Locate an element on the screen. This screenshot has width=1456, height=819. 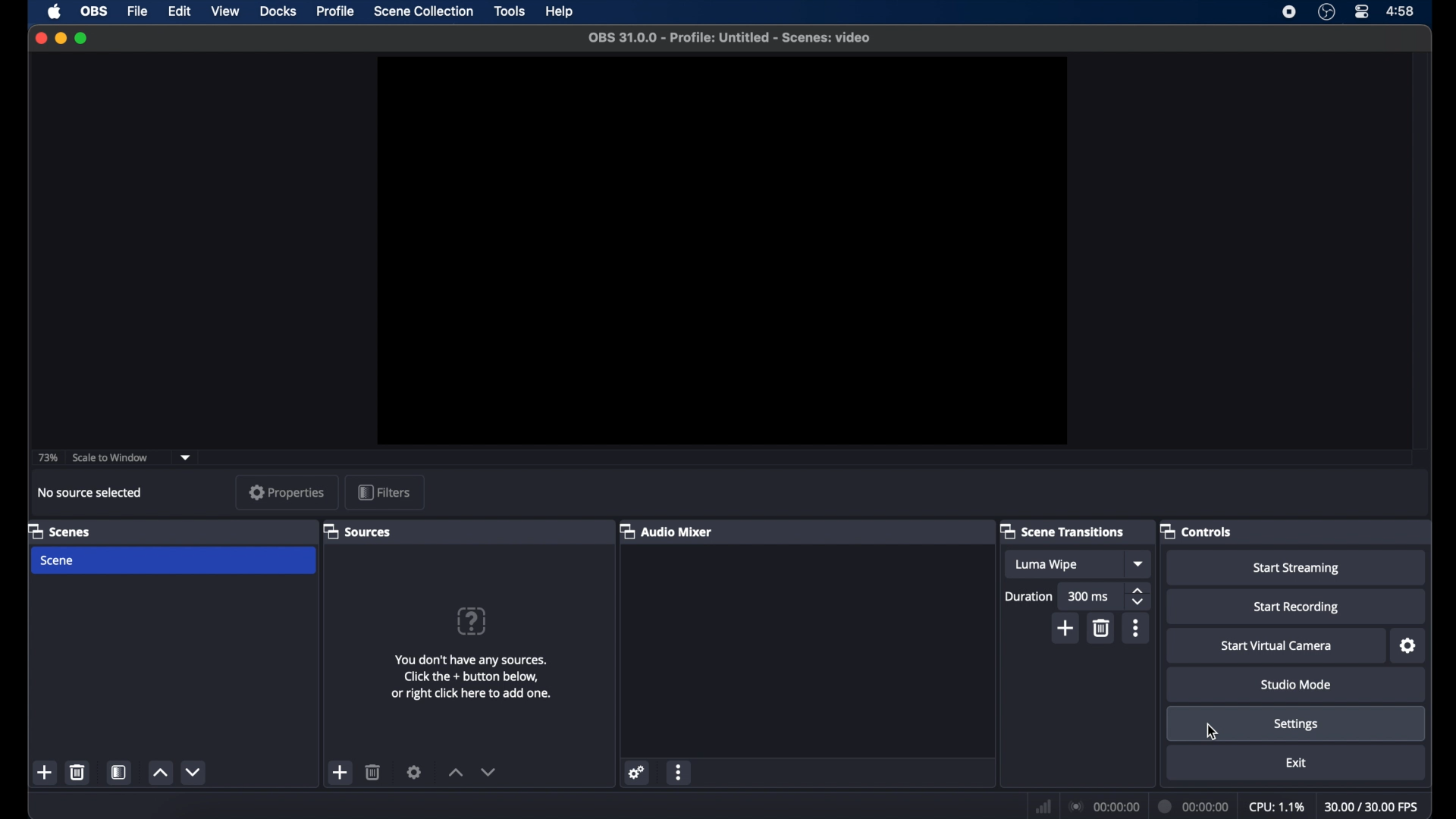
scale to window is located at coordinates (111, 457).